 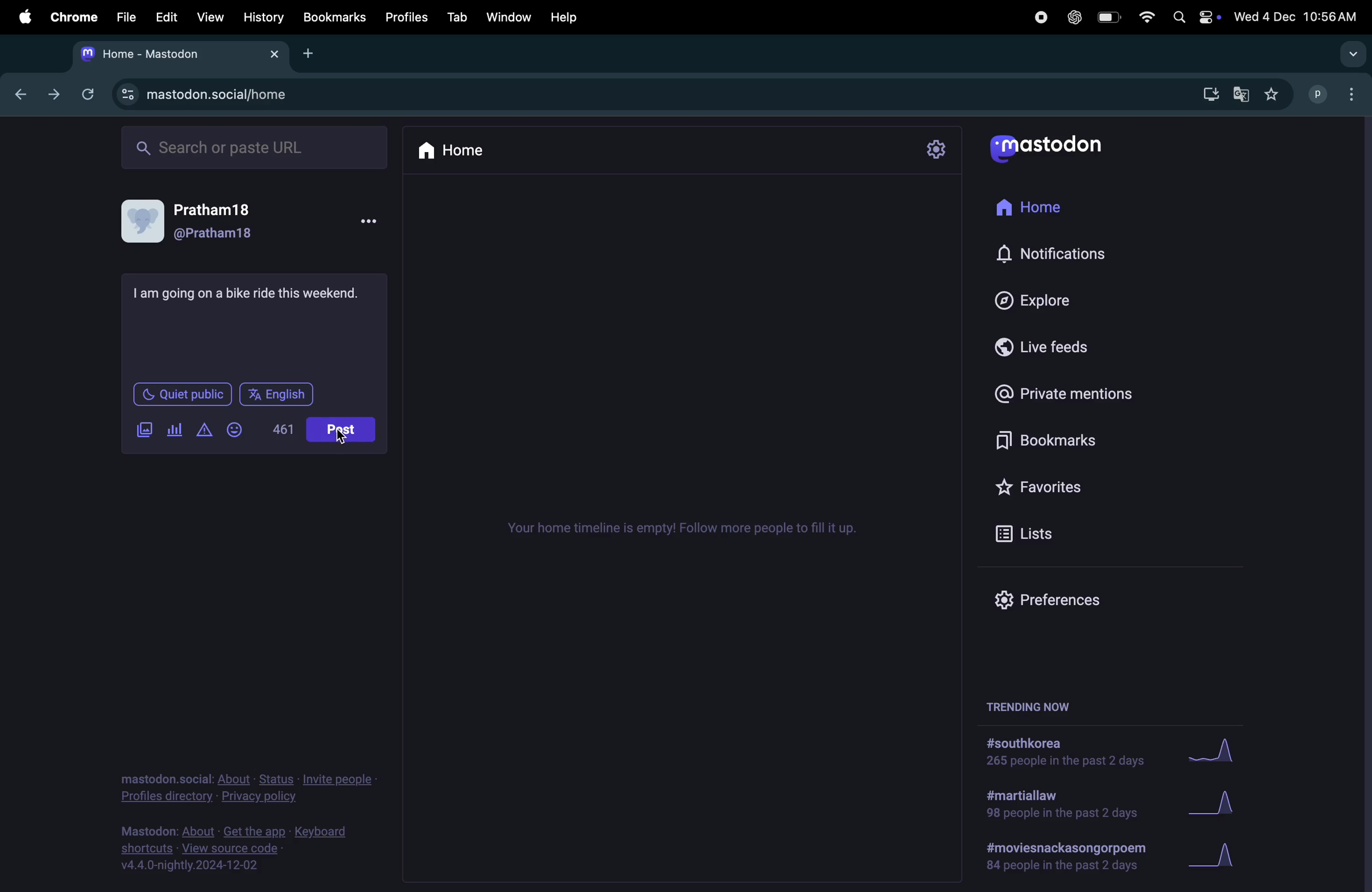 What do you see at coordinates (1064, 752) in the screenshot?
I see `#south korea` at bounding box center [1064, 752].